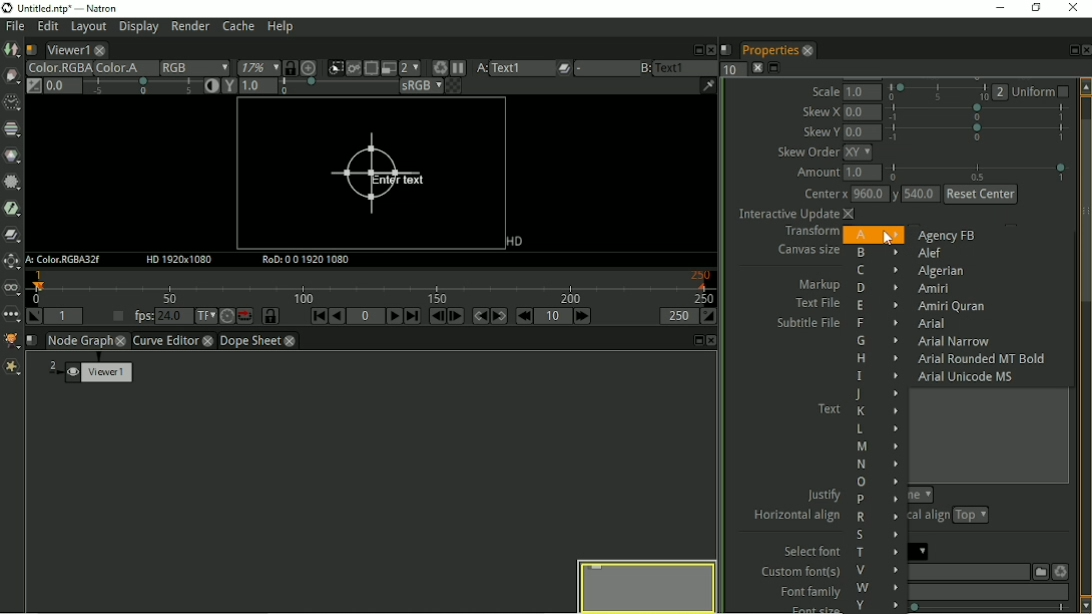 This screenshot has width=1092, height=614. I want to click on Skew Y, so click(820, 132).